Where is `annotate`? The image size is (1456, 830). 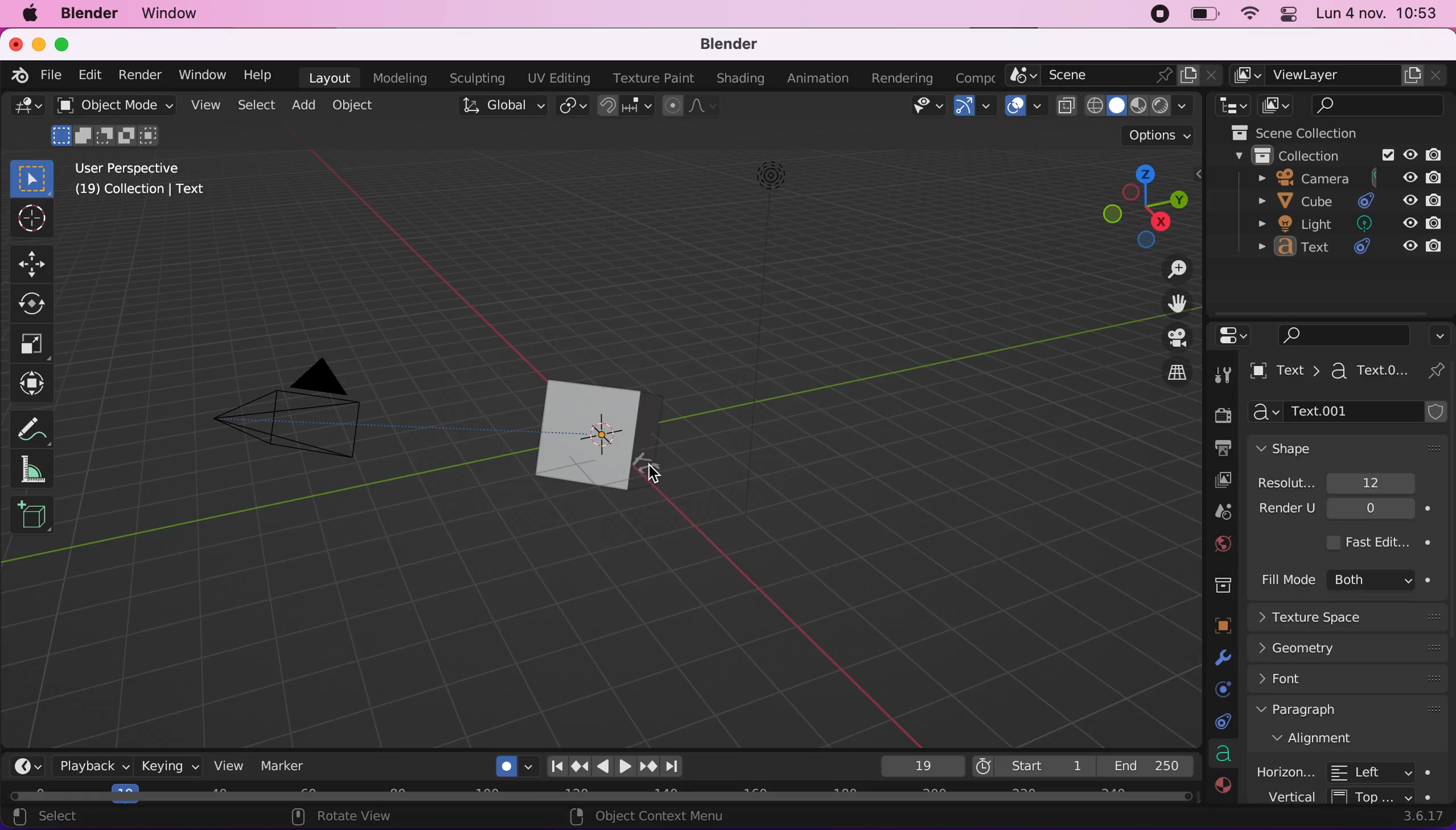 annotate is located at coordinates (35, 428).